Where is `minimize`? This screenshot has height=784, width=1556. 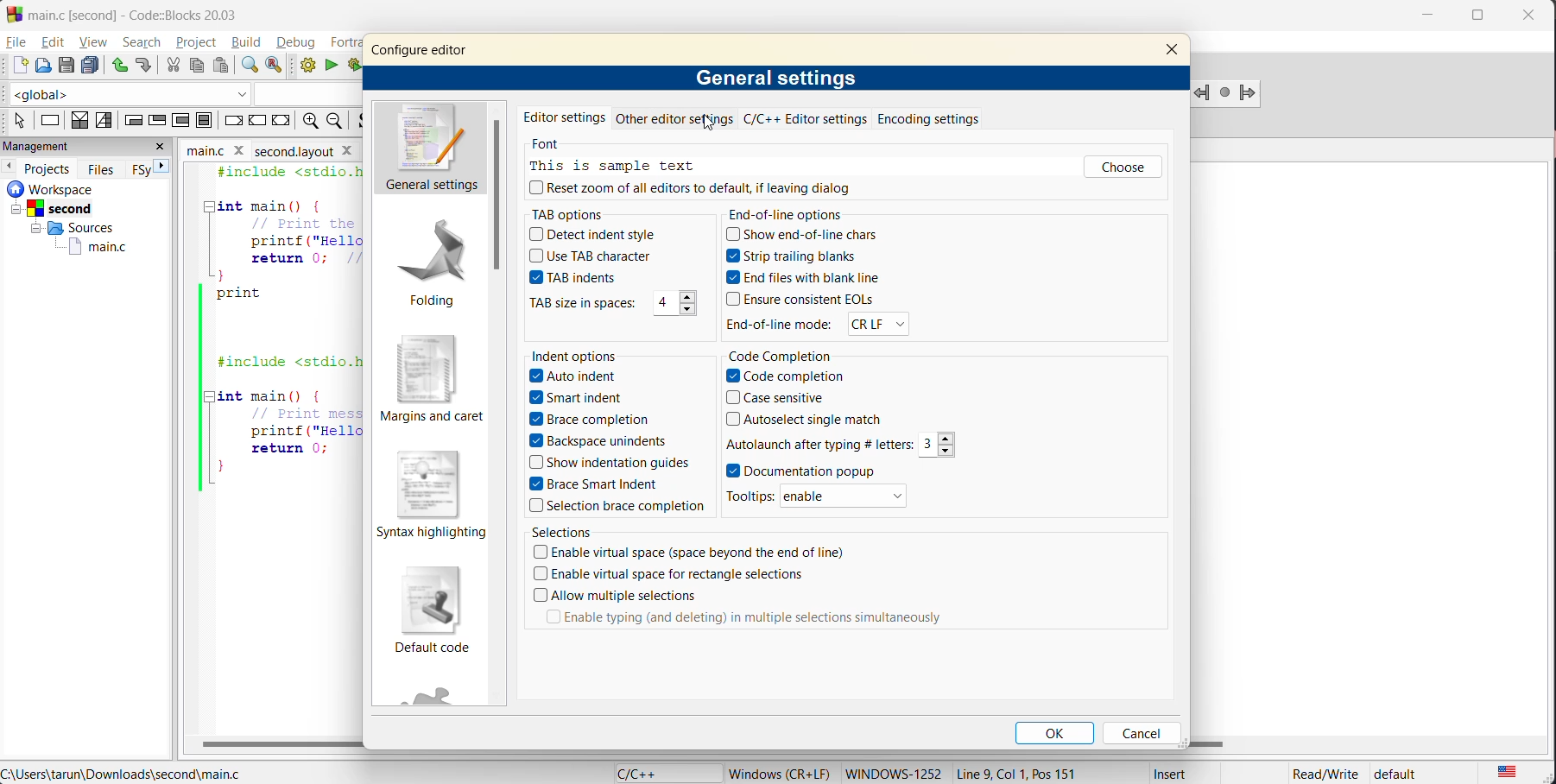 minimize is located at coordinates (1434, 14).